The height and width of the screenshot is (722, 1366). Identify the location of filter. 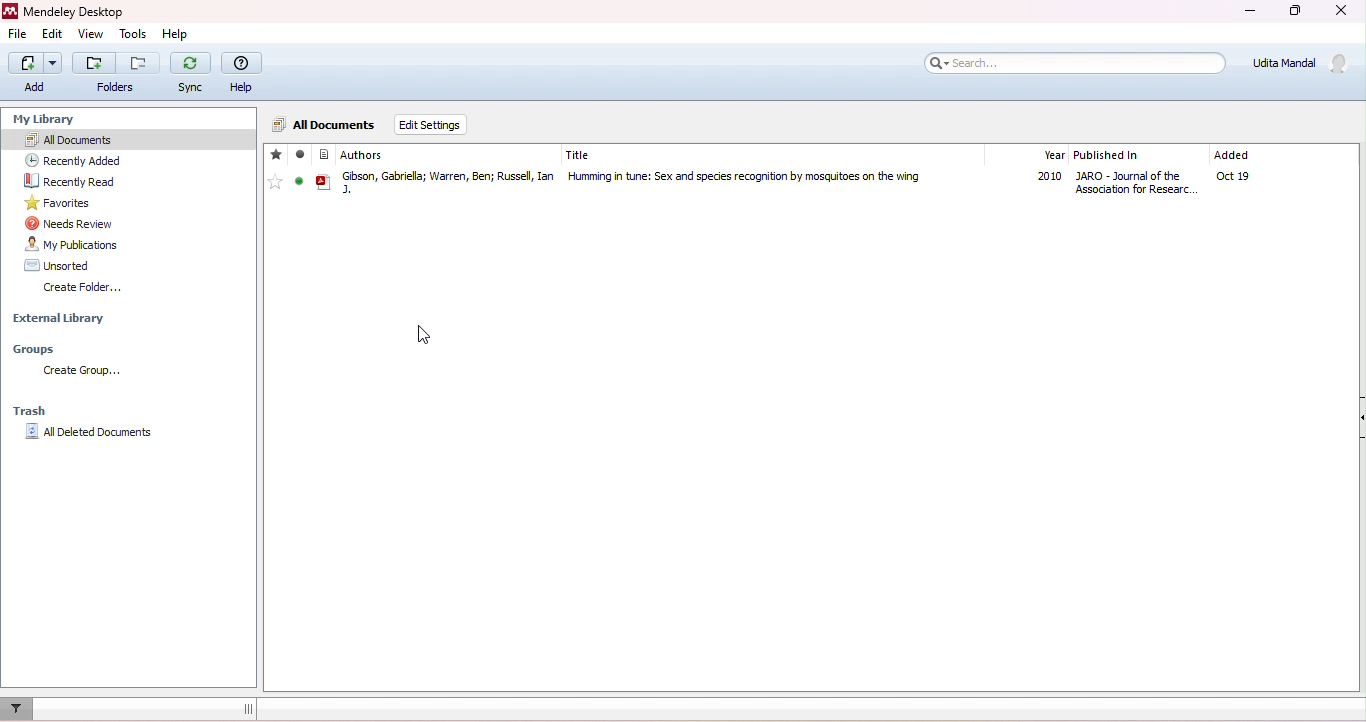
(16, 708).